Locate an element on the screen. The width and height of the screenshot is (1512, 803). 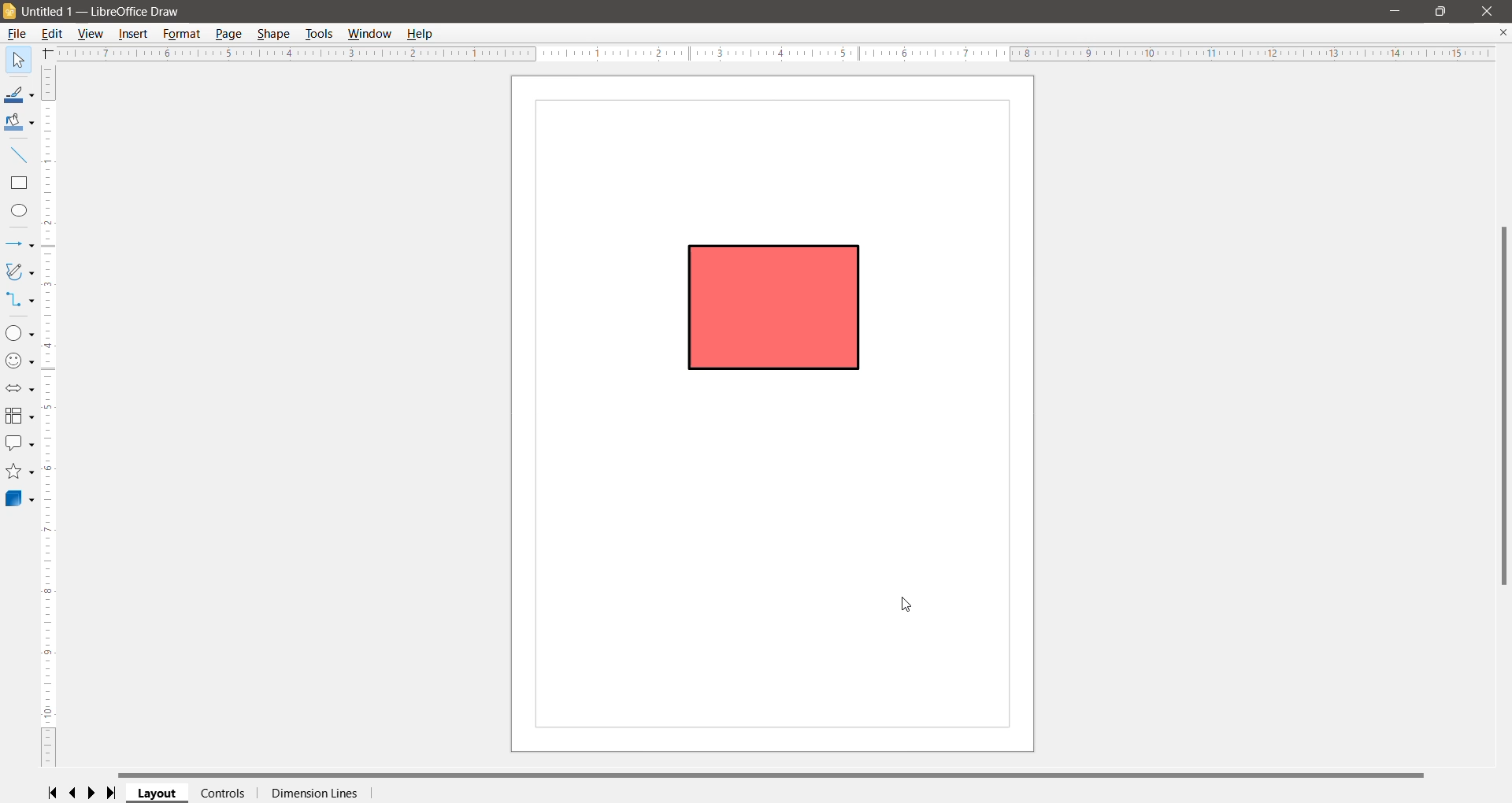
Document Title - Application Name is located at coordinates (108, 12).